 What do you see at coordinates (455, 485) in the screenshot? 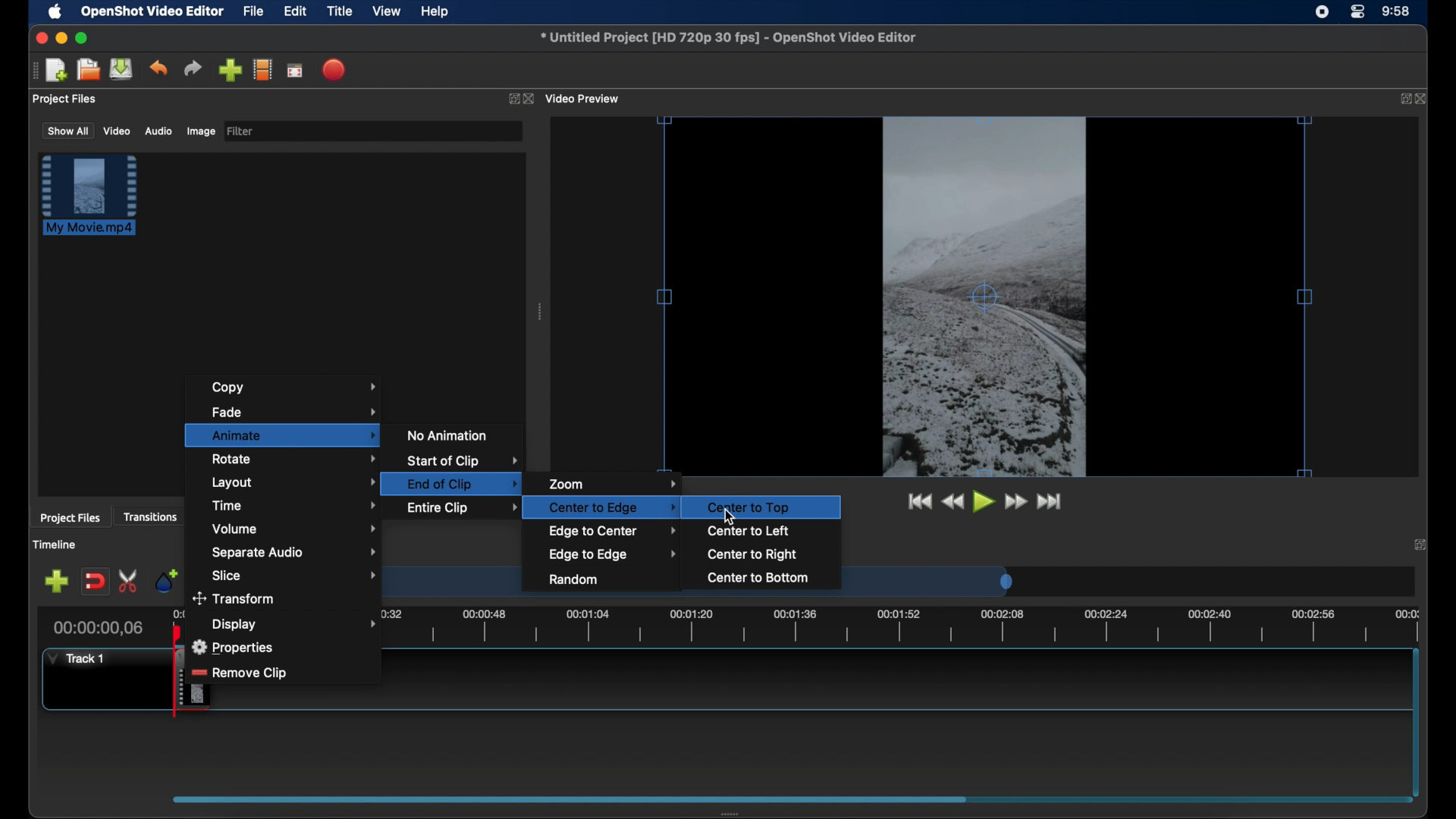
I see `end of clip highlighted` at bounding box center [455, 485].